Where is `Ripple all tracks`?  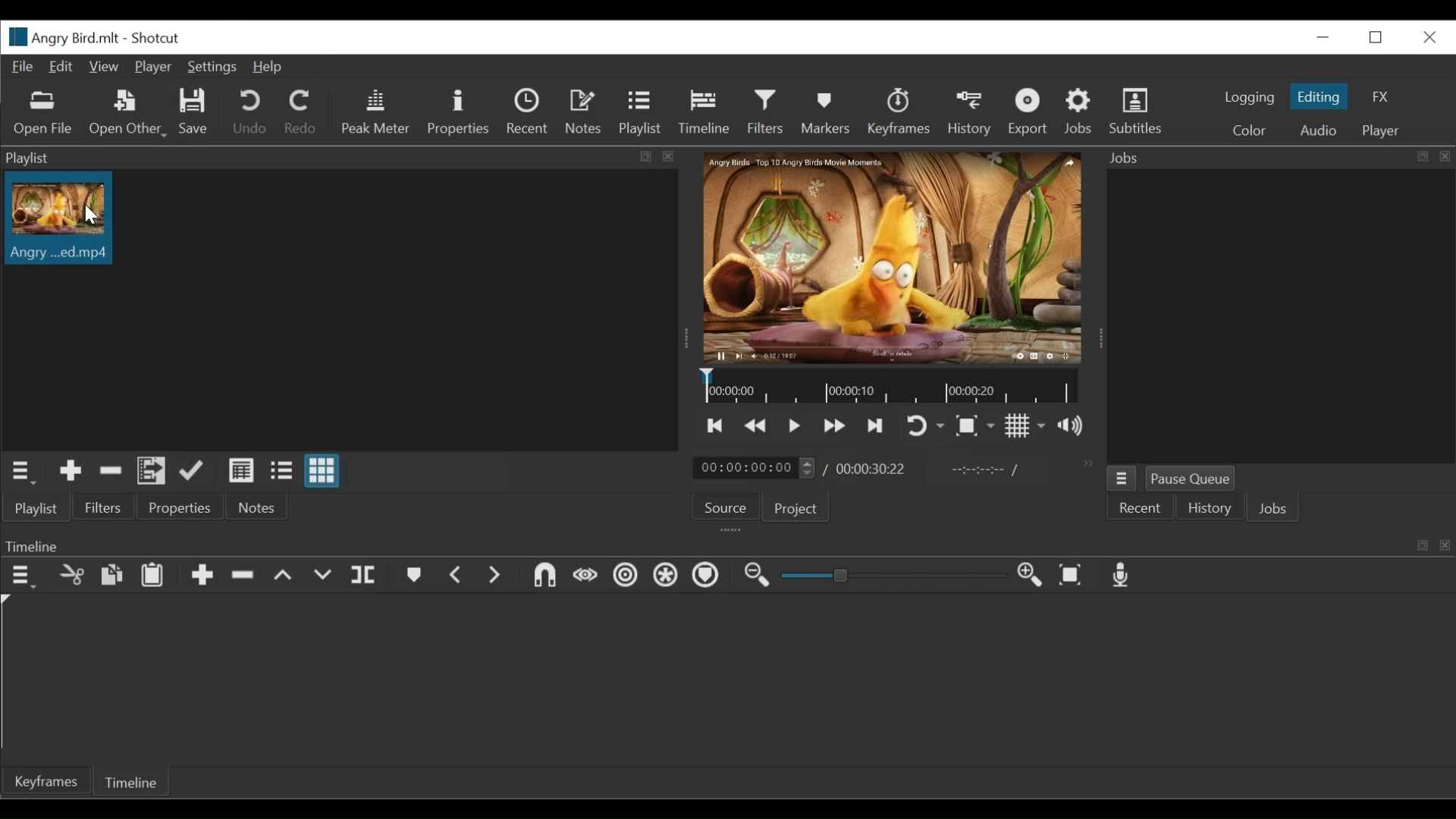 Ripple all tracks is located at coordinates (665, 575).